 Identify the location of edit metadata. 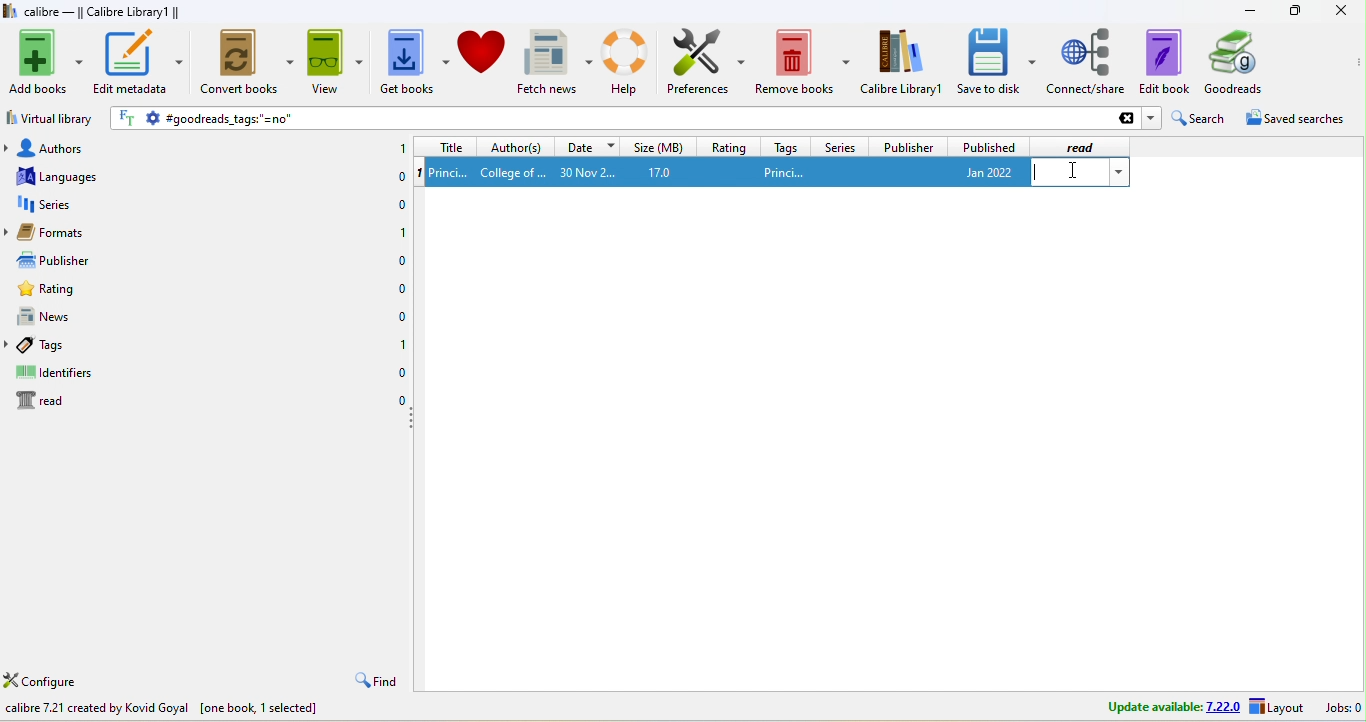
(138, 63).